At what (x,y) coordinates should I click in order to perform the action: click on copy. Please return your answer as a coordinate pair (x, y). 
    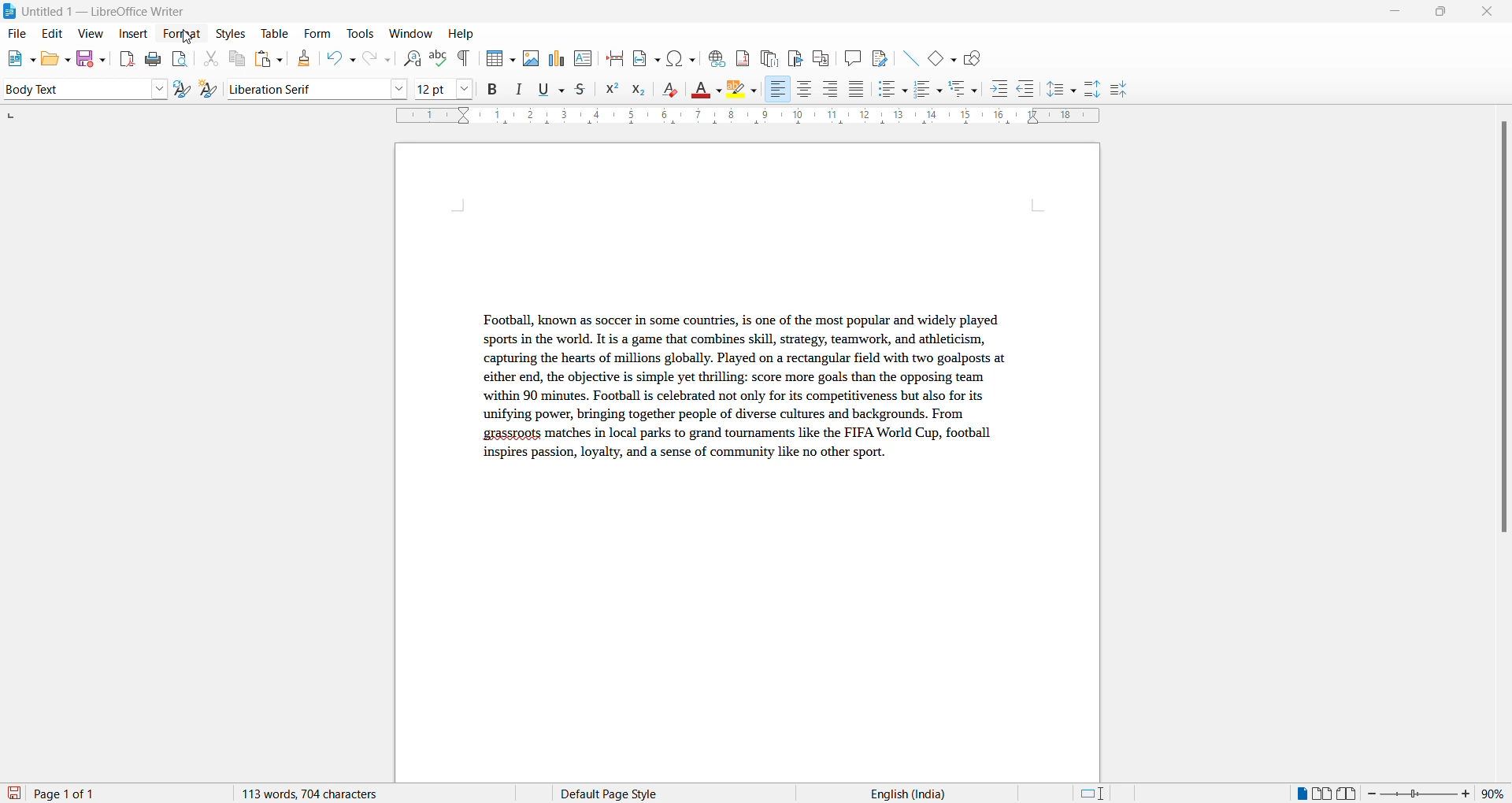
    Looking at the image, I should click on (235, 58).